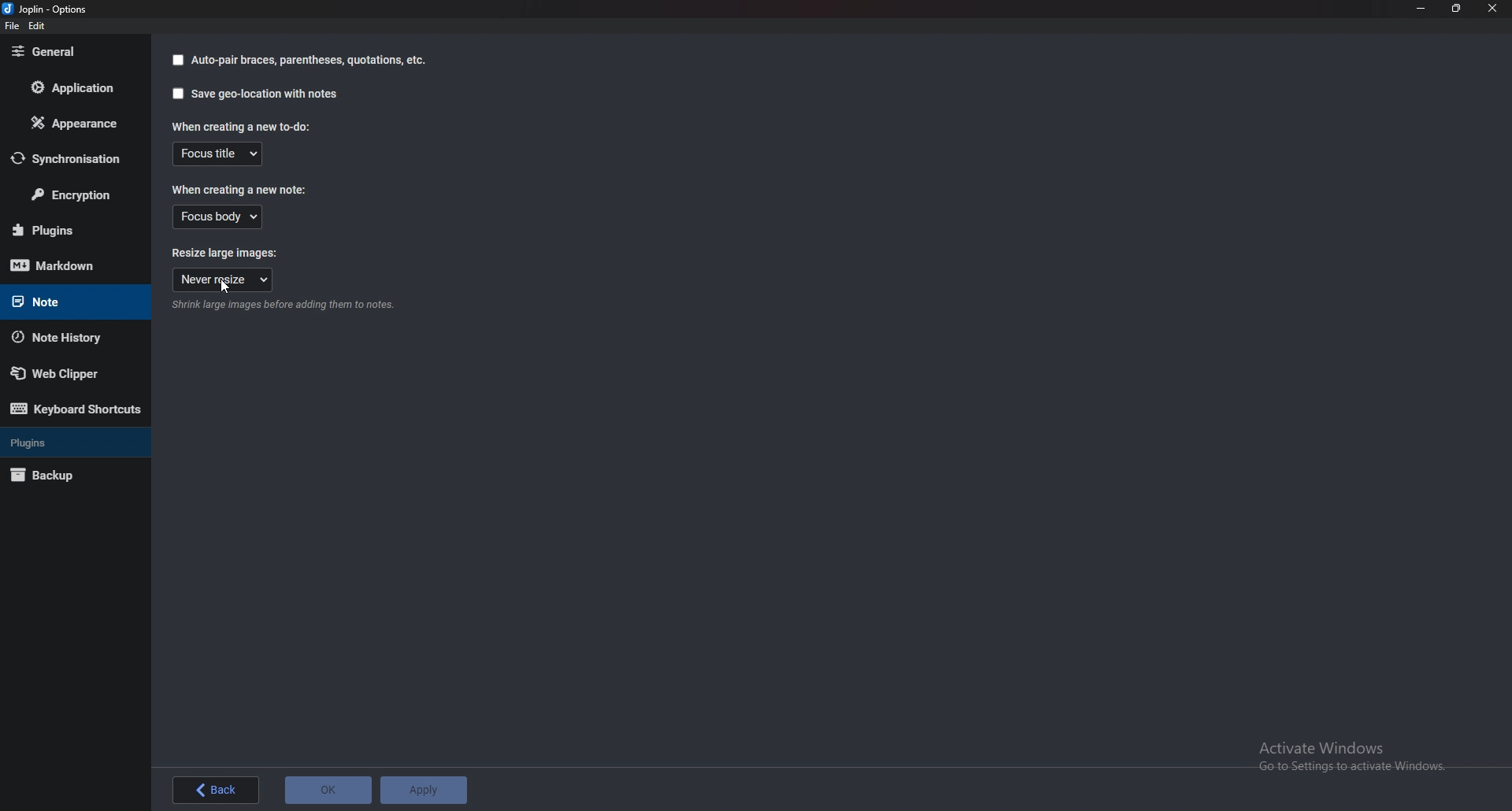  What do you see at coordinates (219, 217) in the screenshot?
I see `Focus body` at bounding box center [219, 217].